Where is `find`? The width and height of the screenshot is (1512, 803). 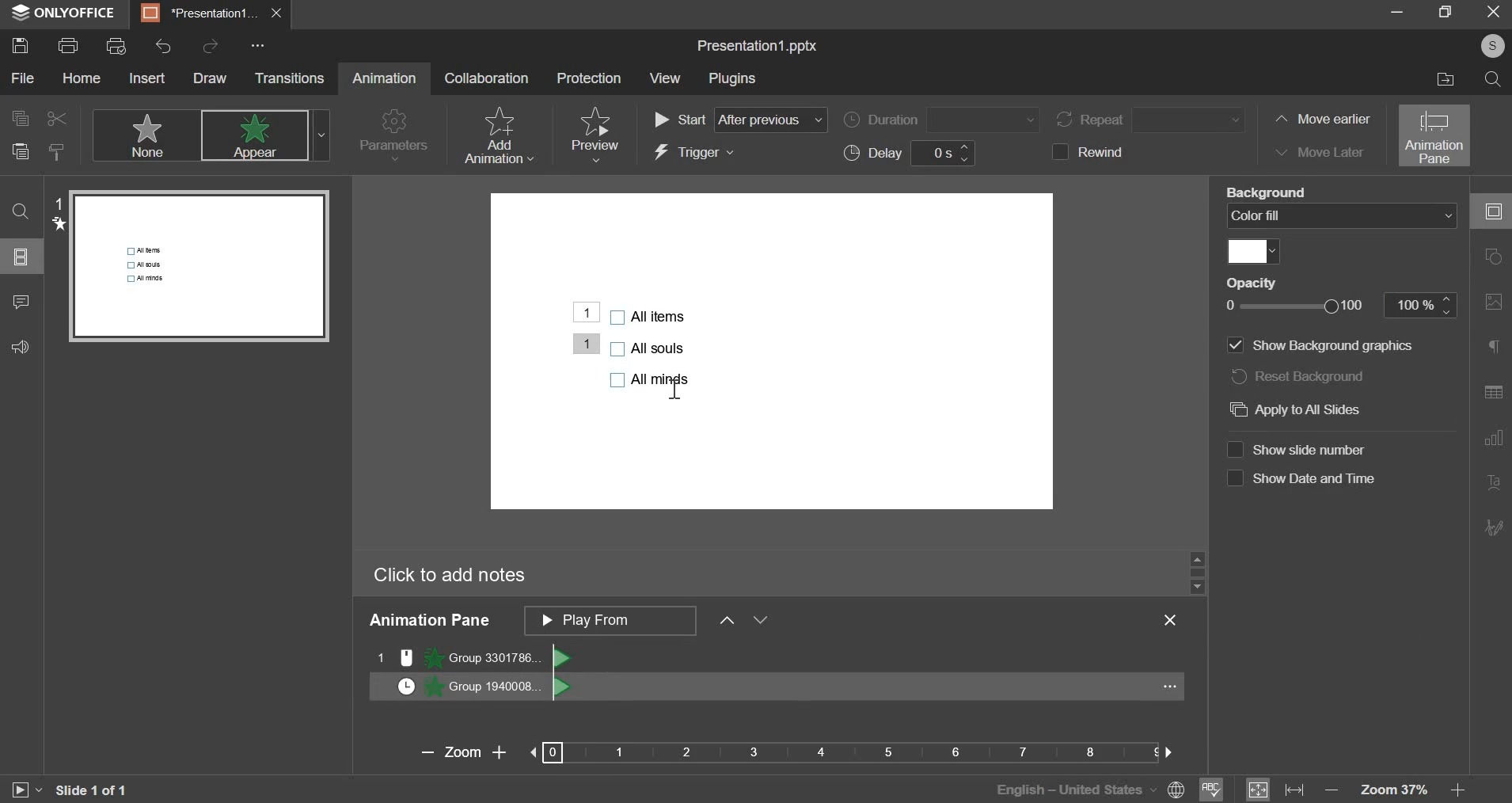
find is located at coordinates (21, 211).